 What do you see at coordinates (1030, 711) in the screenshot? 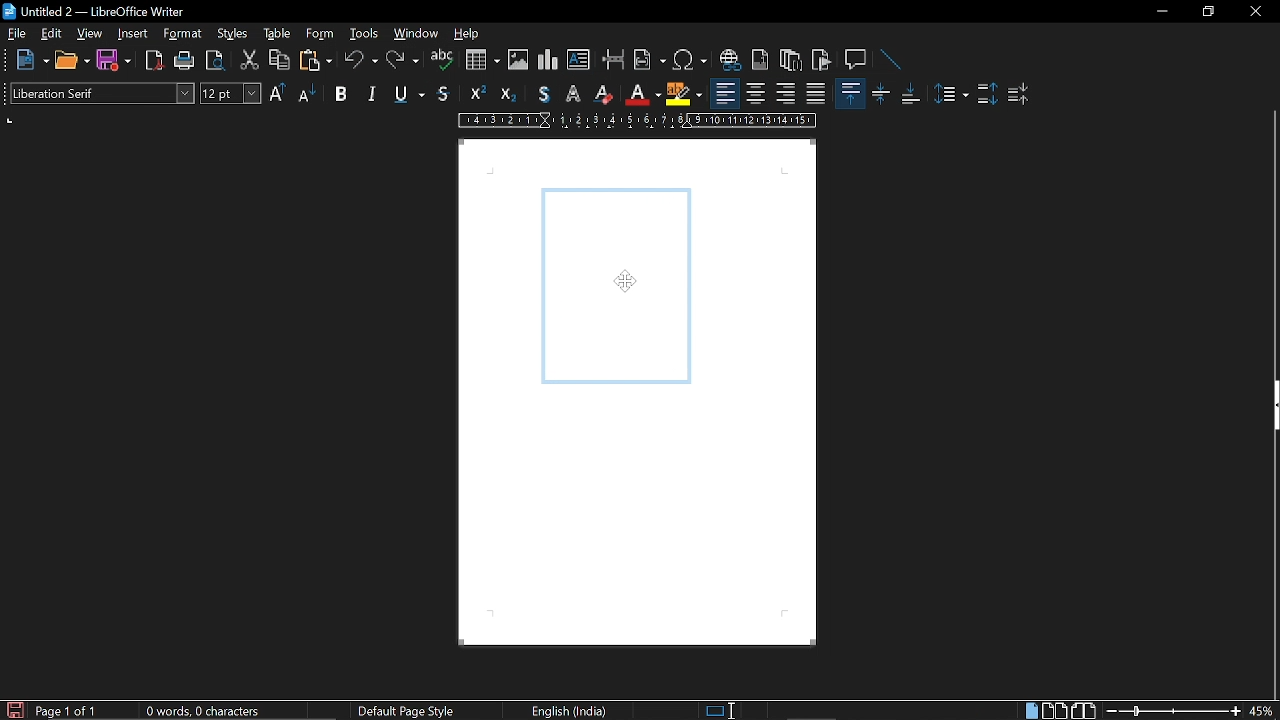
I see `single page view` at bounding box center [1030, 711].